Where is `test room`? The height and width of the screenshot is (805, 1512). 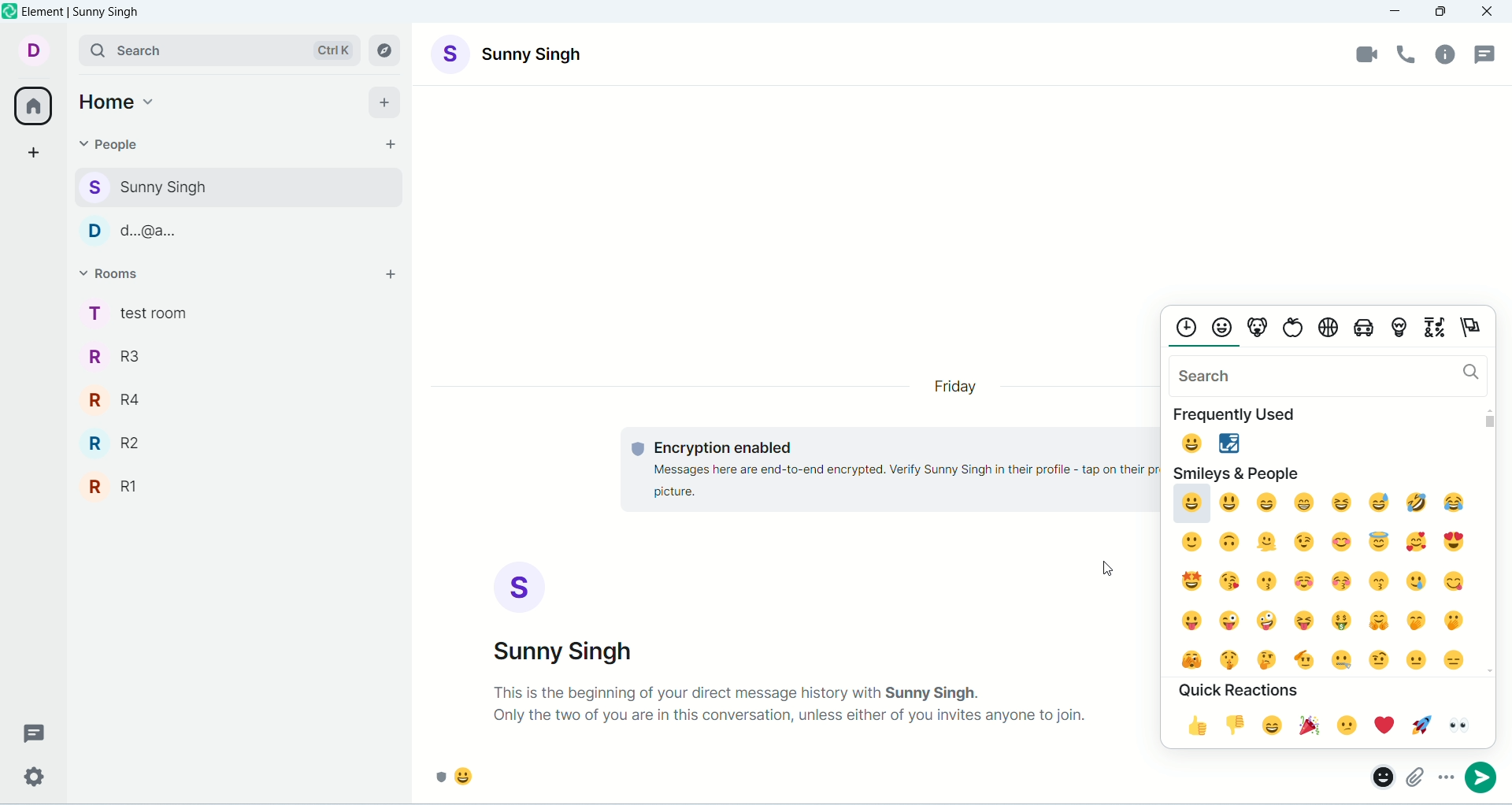
test room is located at coordinates (237, 312).